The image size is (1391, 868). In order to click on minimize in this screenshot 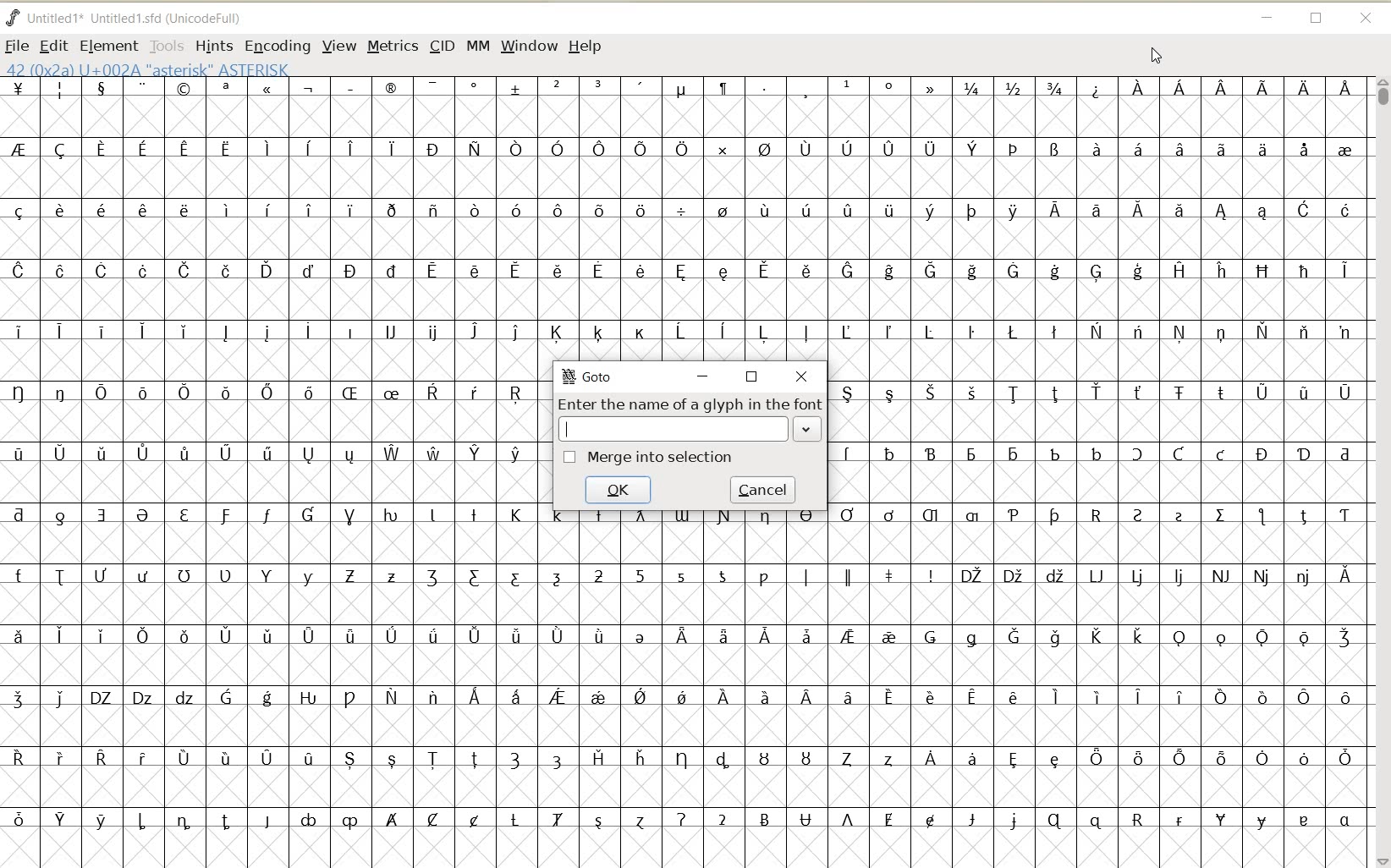, I will do `click(701, 376)`.